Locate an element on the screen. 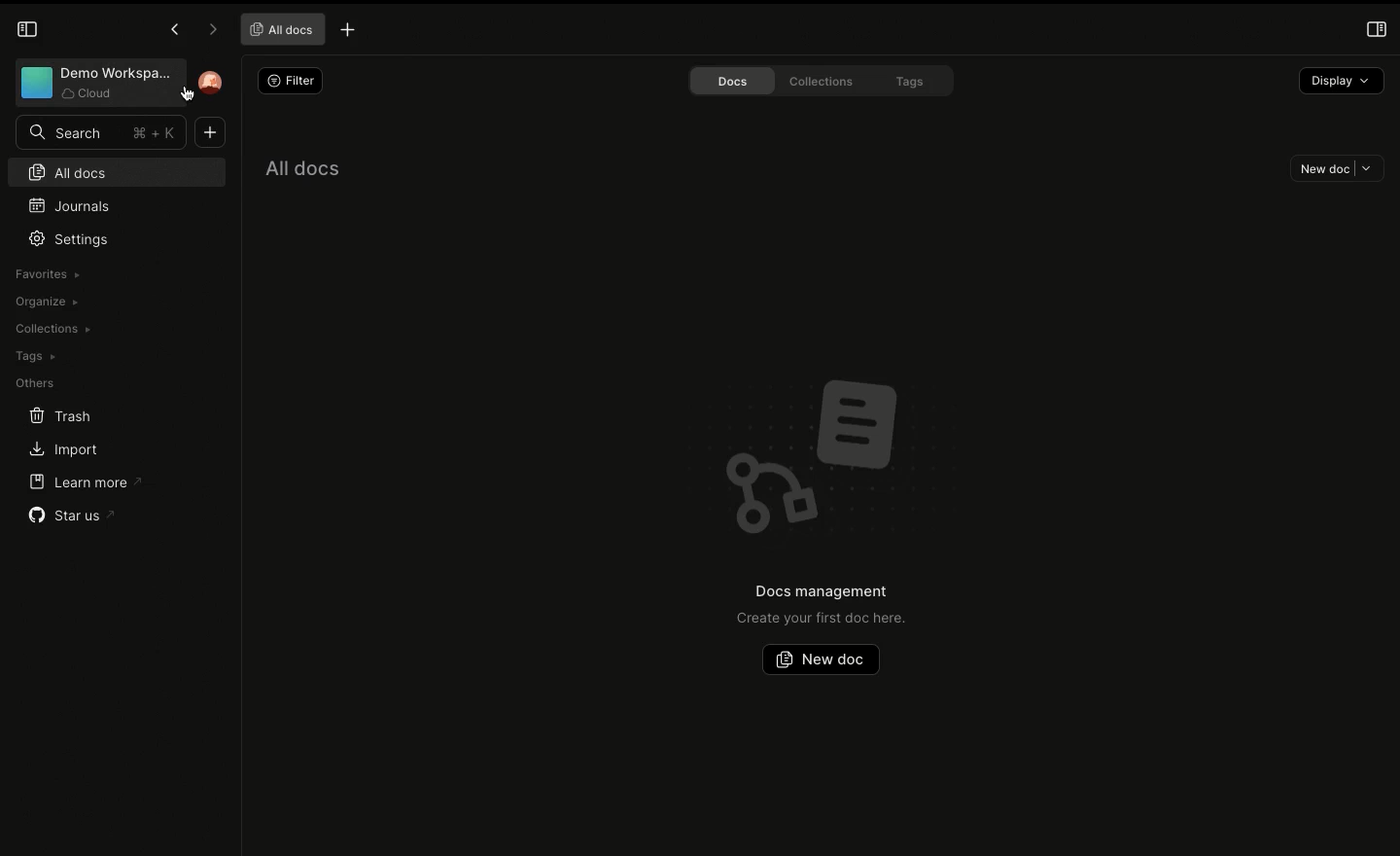 Image resolution: width=1400 pixels, height=856 pixels. Emblem is located at coordinates (825, 447).